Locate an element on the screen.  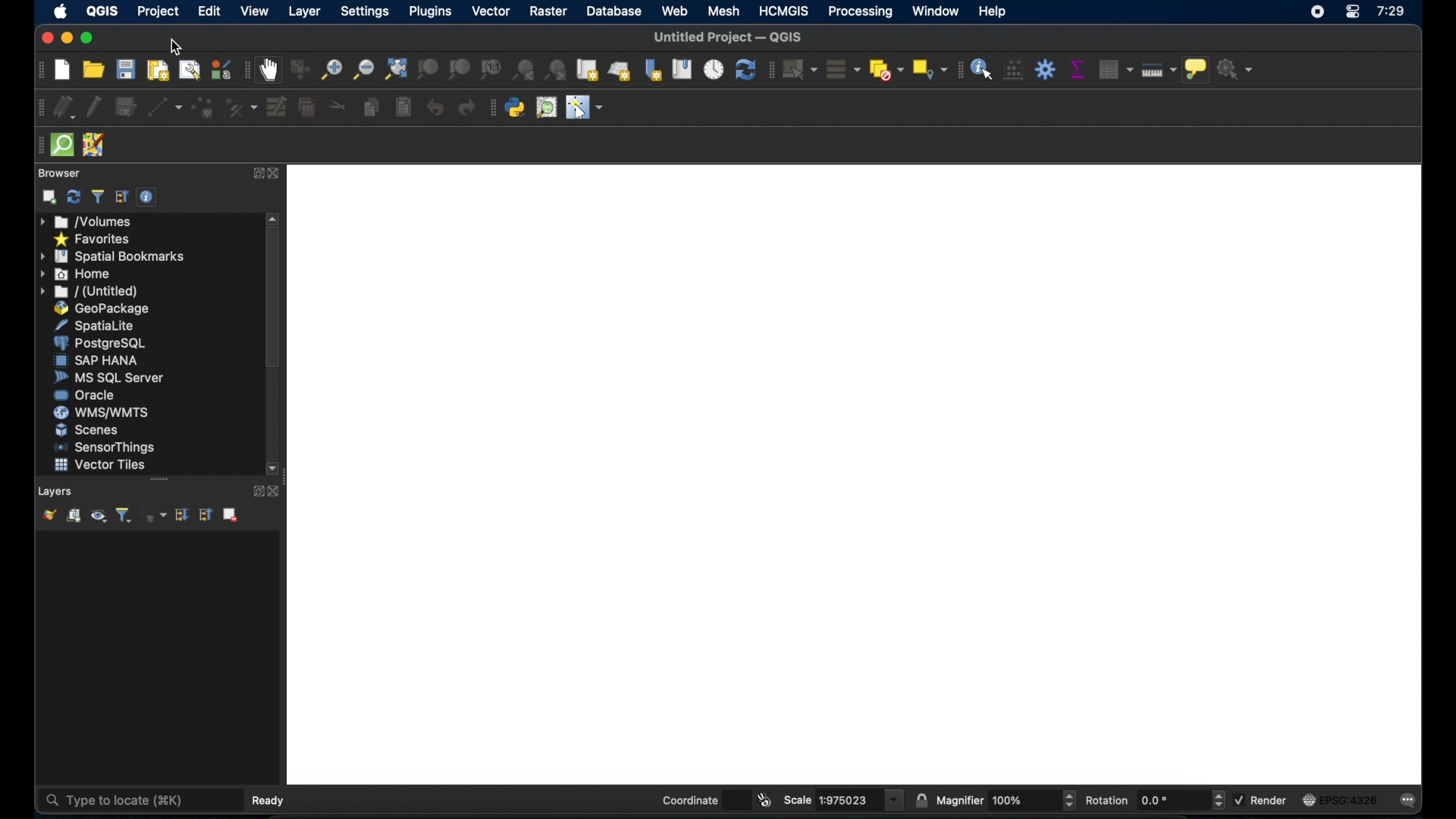
save layer edits is located at coordinates (126, 105).